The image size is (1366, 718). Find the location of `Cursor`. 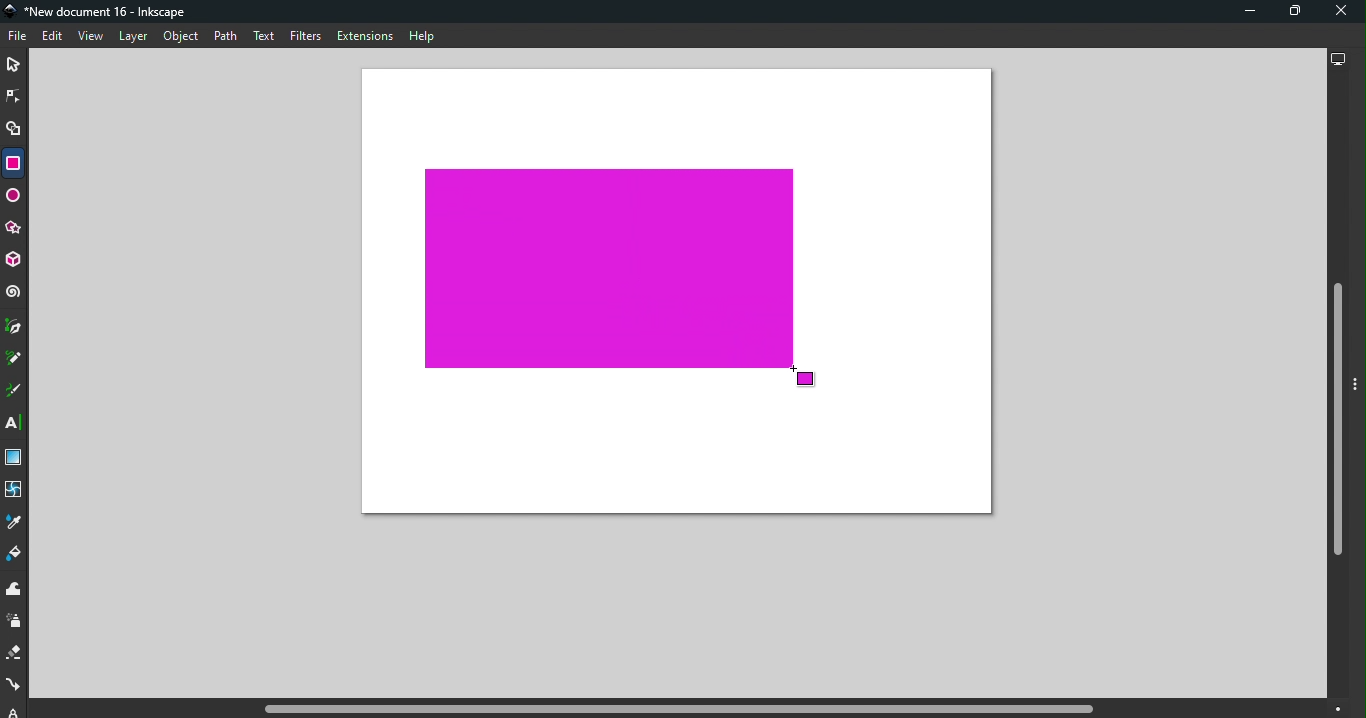

Cursor is located at coordinates (804, 380).